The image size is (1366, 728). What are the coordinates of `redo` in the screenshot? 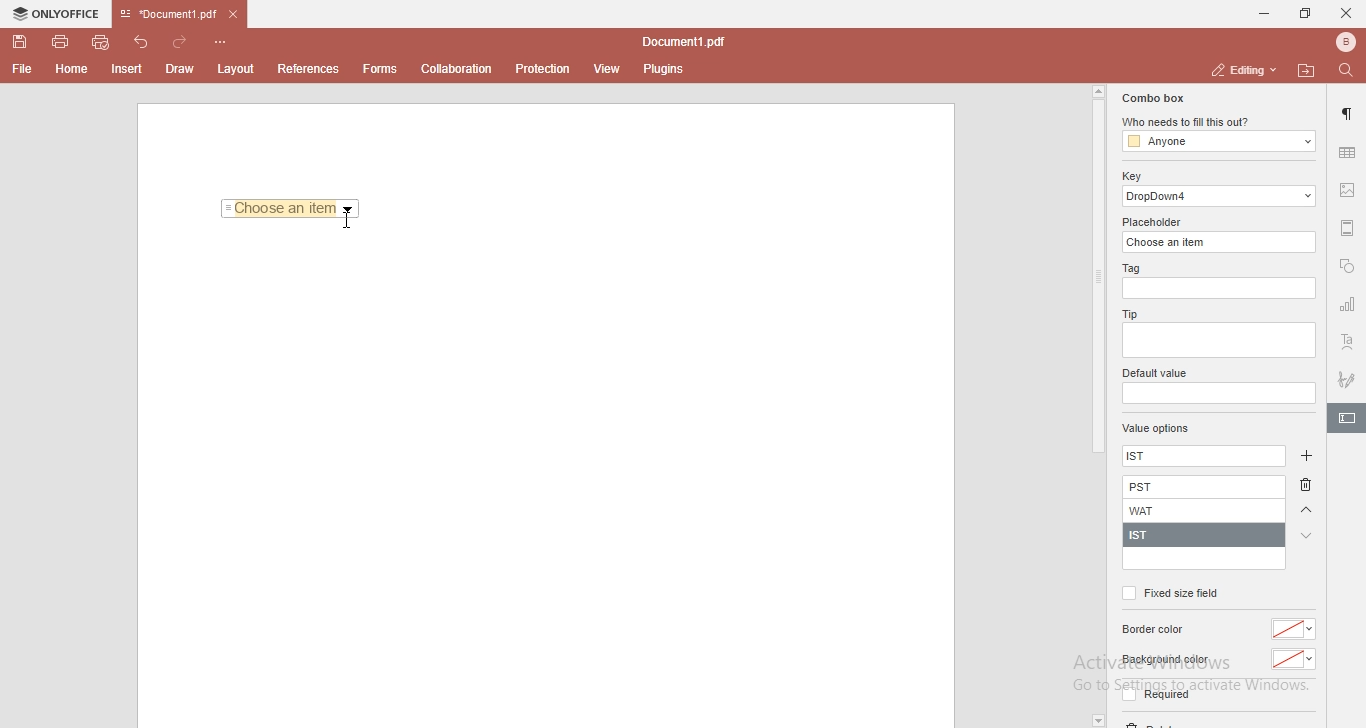 It's located at (184, 38).